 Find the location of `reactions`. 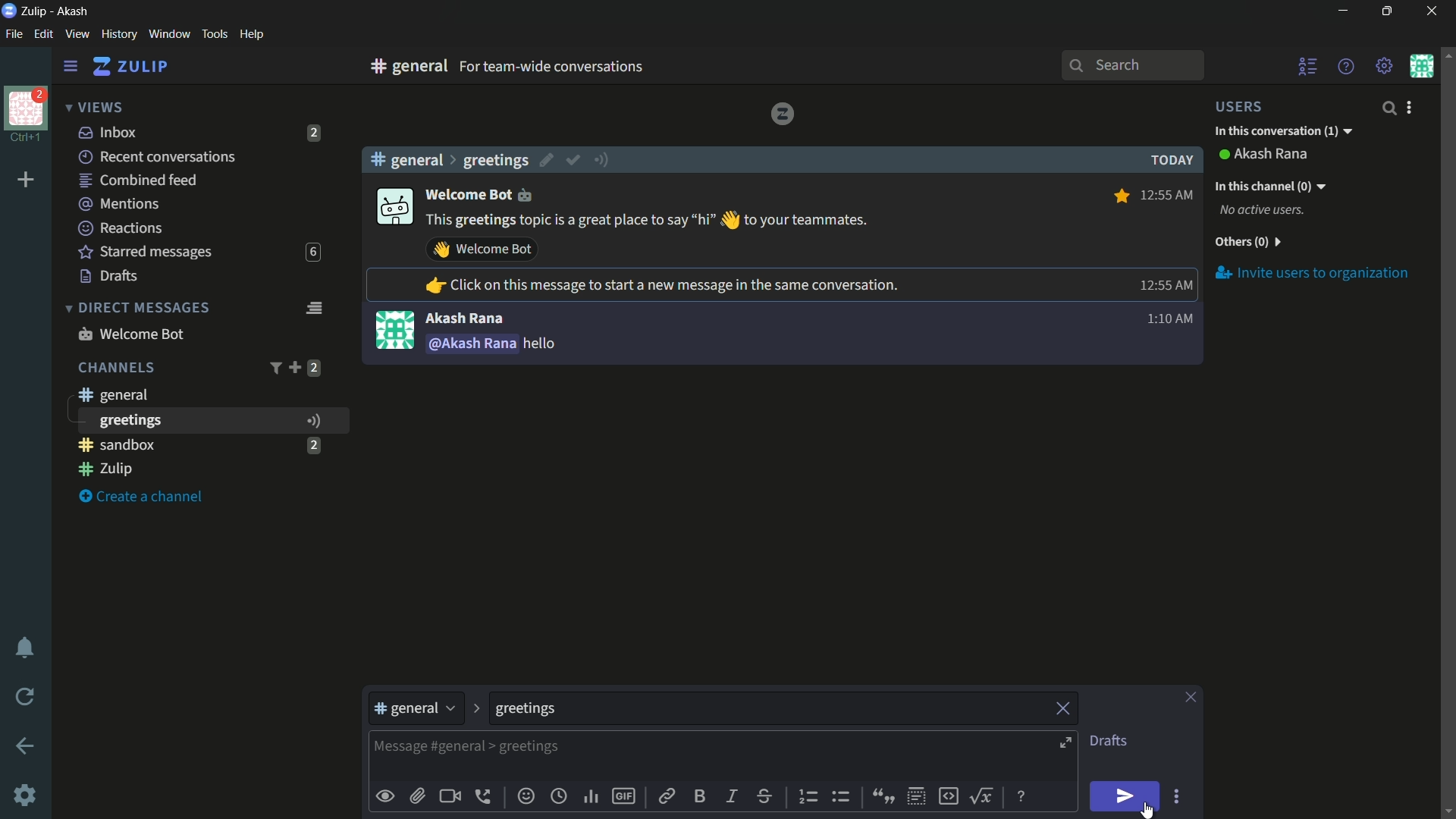

reactions is located at coordinates (120, 227).